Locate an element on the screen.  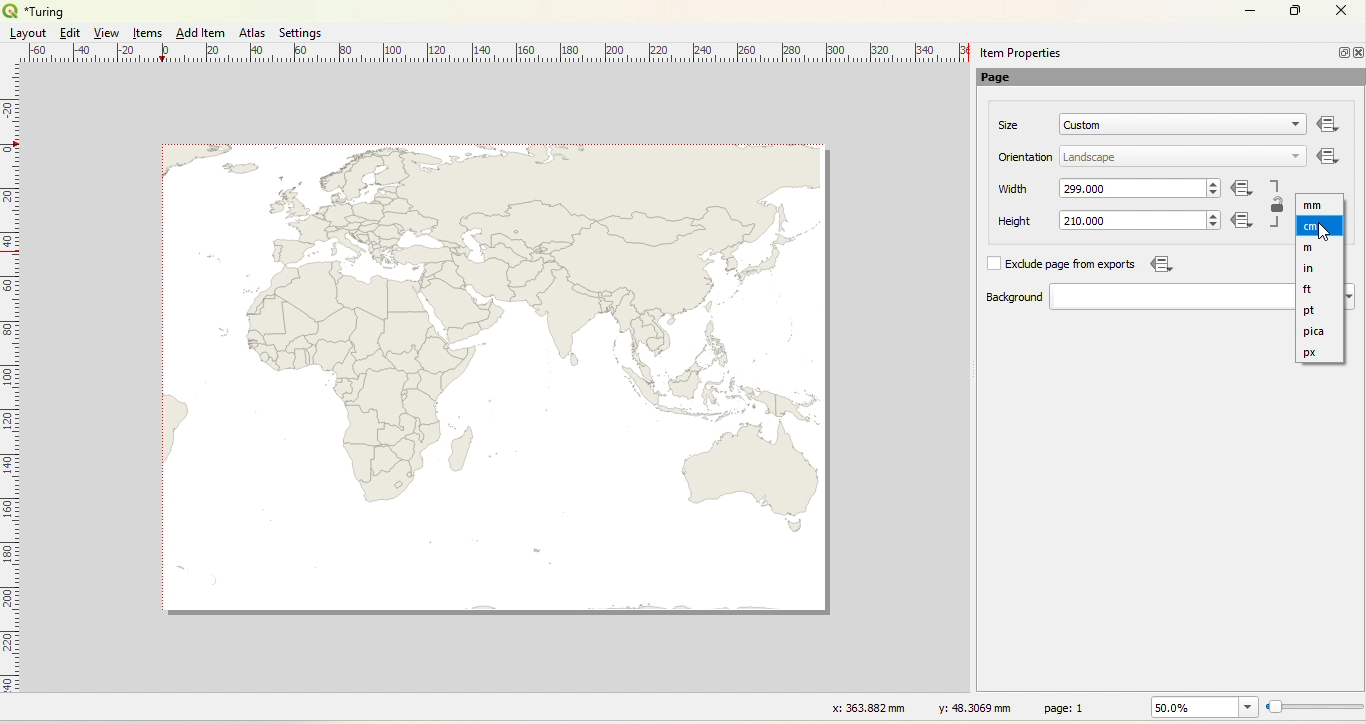
page: 1 is located at coordinates (1067, 707).